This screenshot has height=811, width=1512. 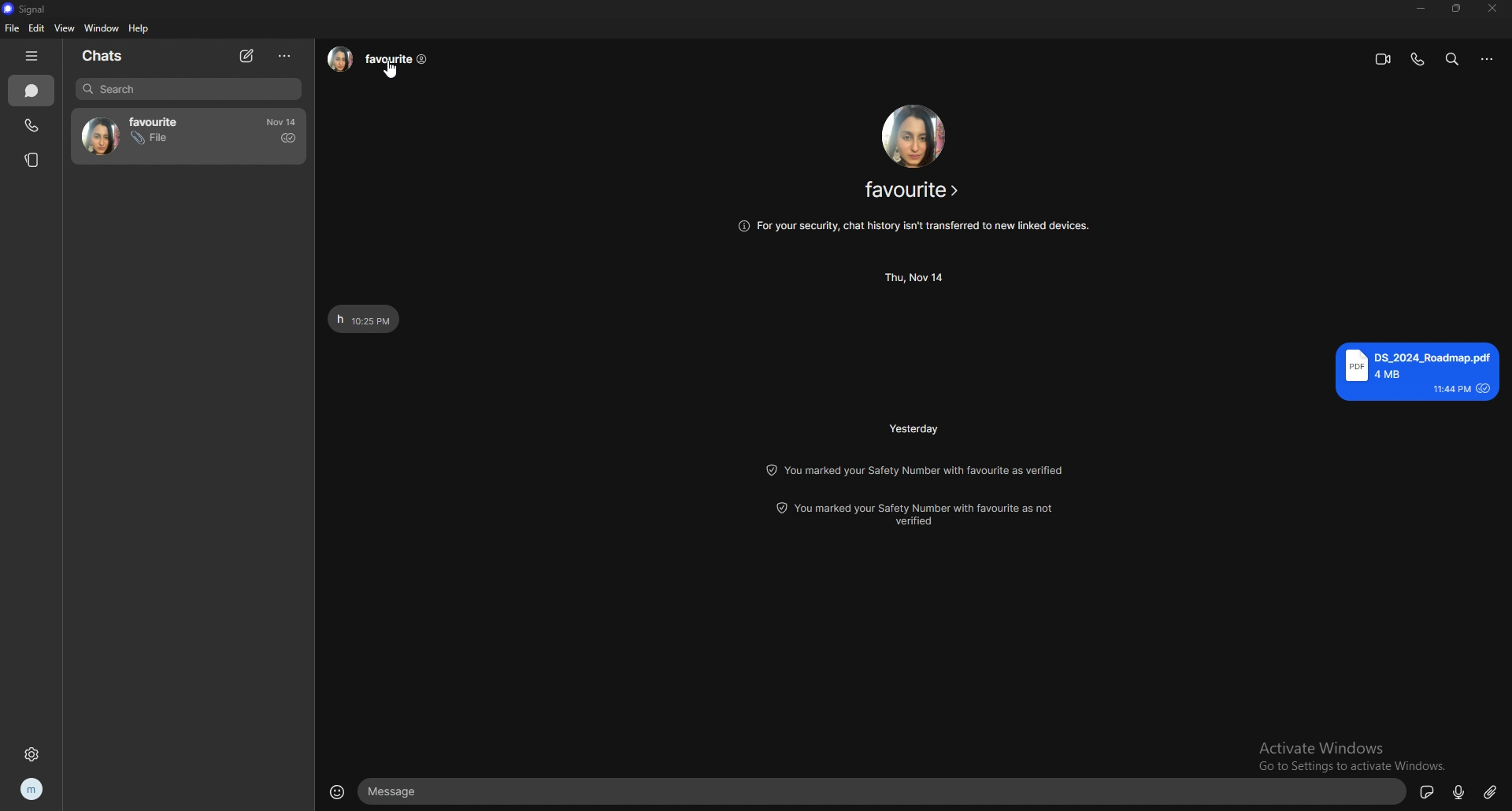 What do you see at coordinates (391, 70) in the screenshot?
I see `cursor` at bounding box center [391, 70].